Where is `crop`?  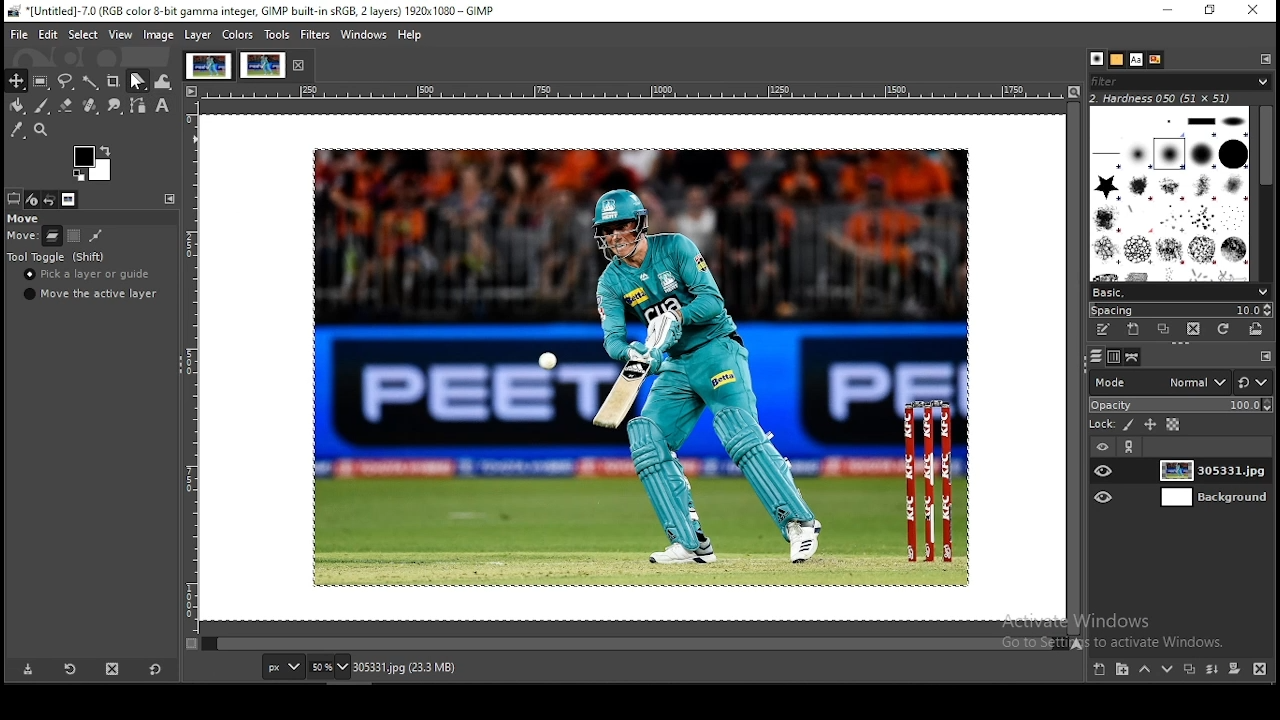 crop is located at coordinates (114, 80).